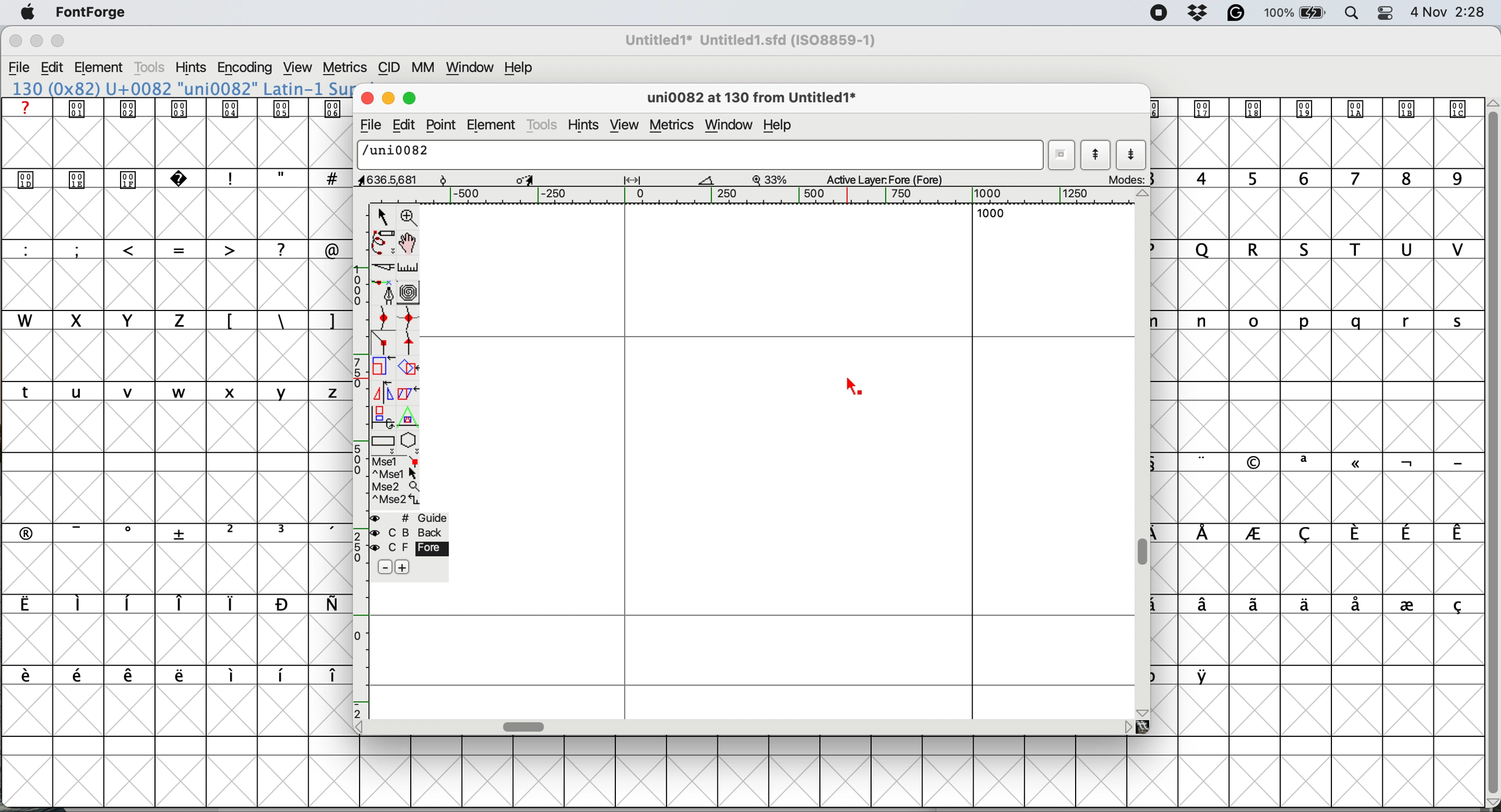  What do you see at coordinates (400, 126) in the screenshot?
I see `edit` at bounding box center [400, 126].